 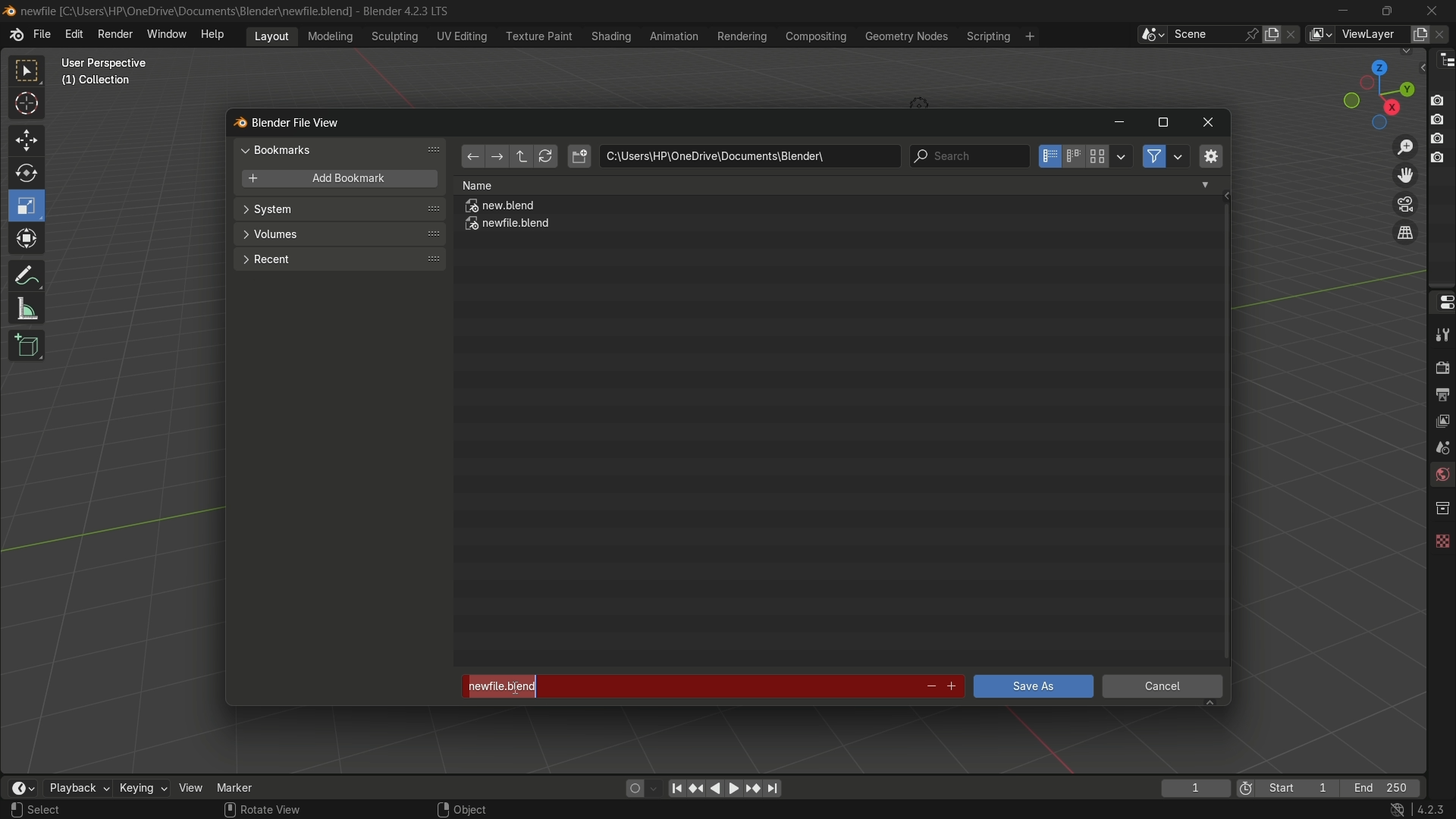 What do you see at coordinates (744, 36) in the screenshot?
I see `rendering menu` at bounding box center [744, 36].